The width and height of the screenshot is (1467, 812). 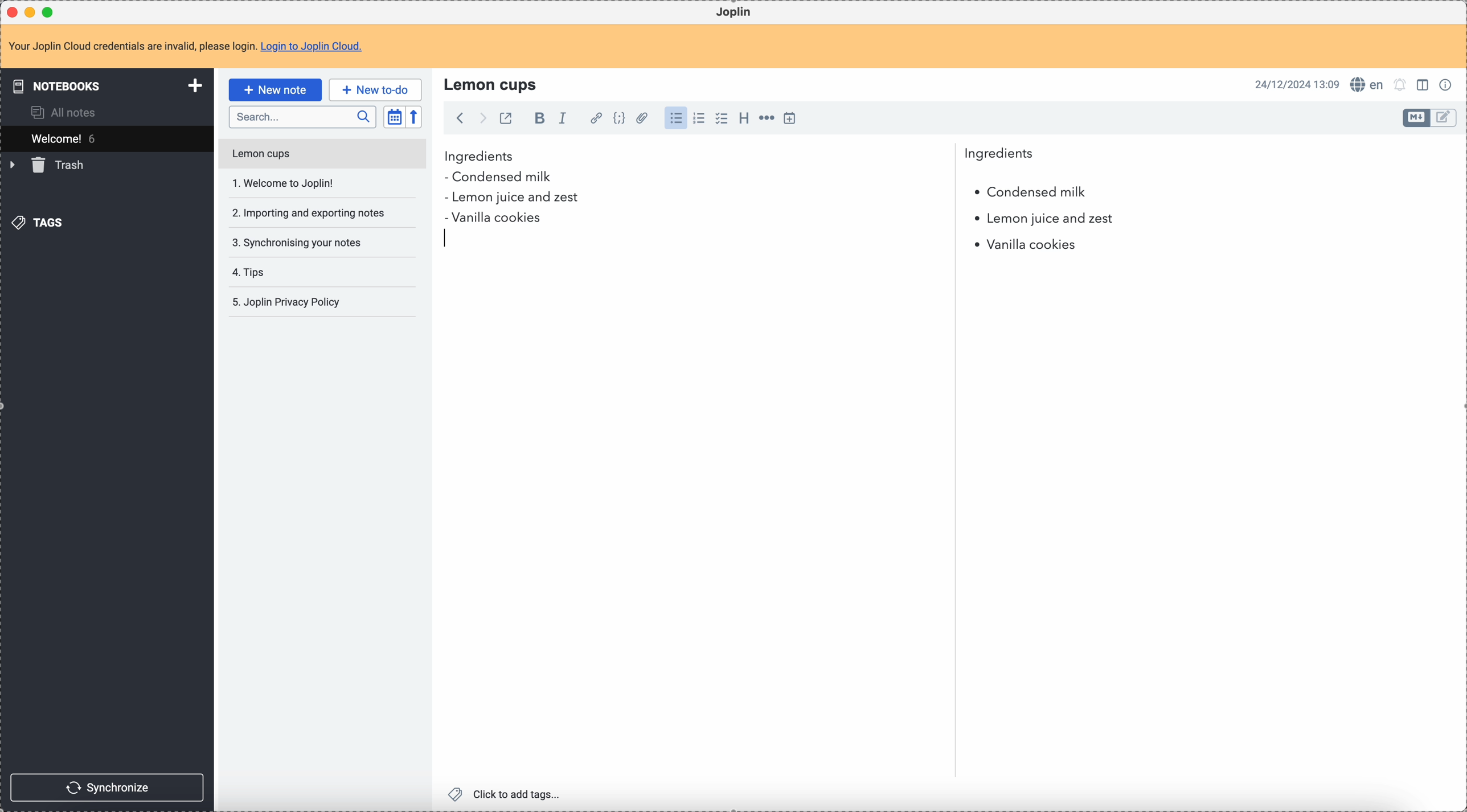 What do you see at coordinates (1400, 84) in the screenshot?
I see `set notifications` at bounding box center [1400, 84].